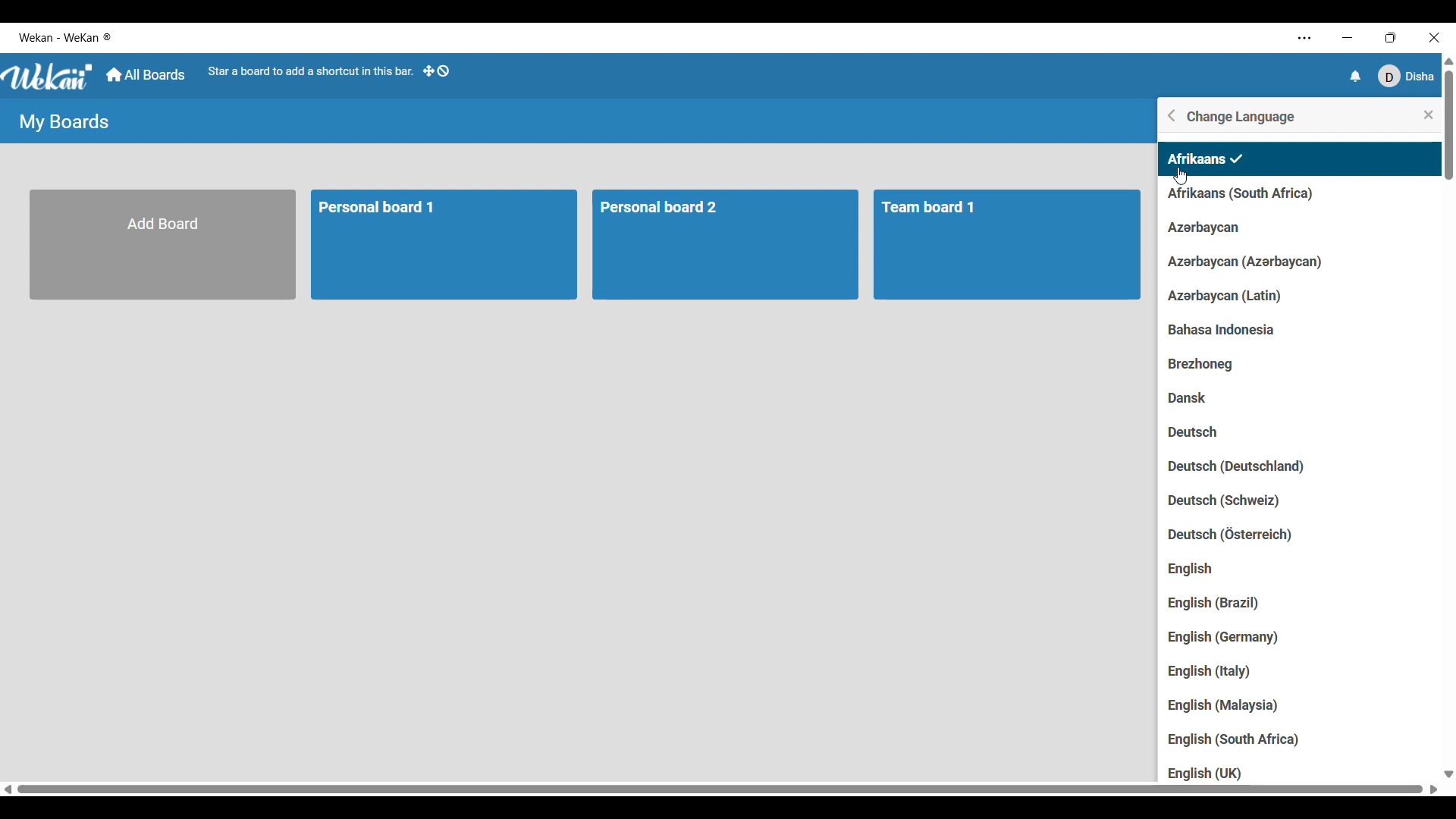 The width and height of the screenshot is (1456, 819). I want to click on Minimize, so click(1345, 37).